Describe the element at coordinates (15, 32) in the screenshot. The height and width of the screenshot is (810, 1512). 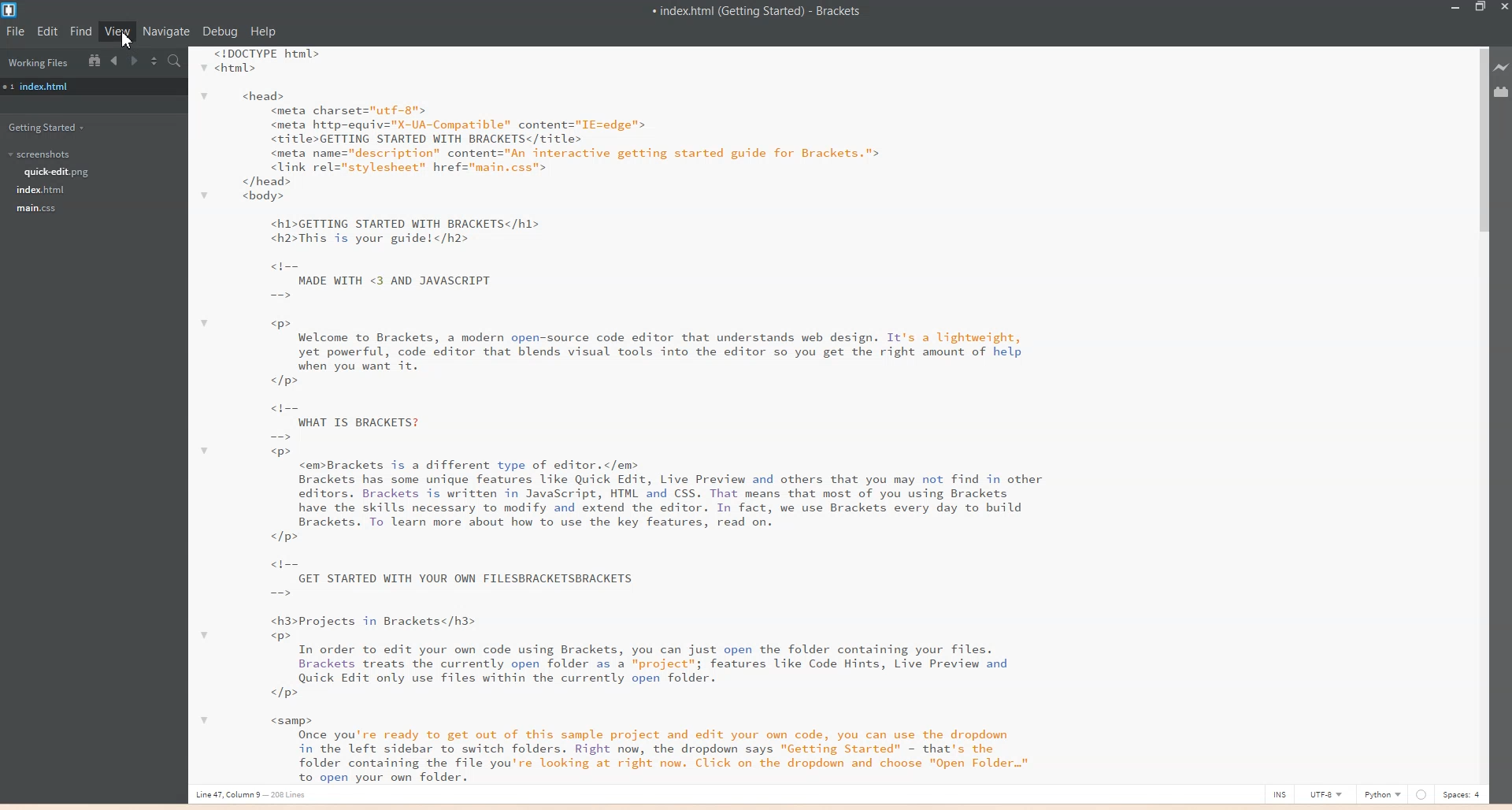
I see `File` at that location.